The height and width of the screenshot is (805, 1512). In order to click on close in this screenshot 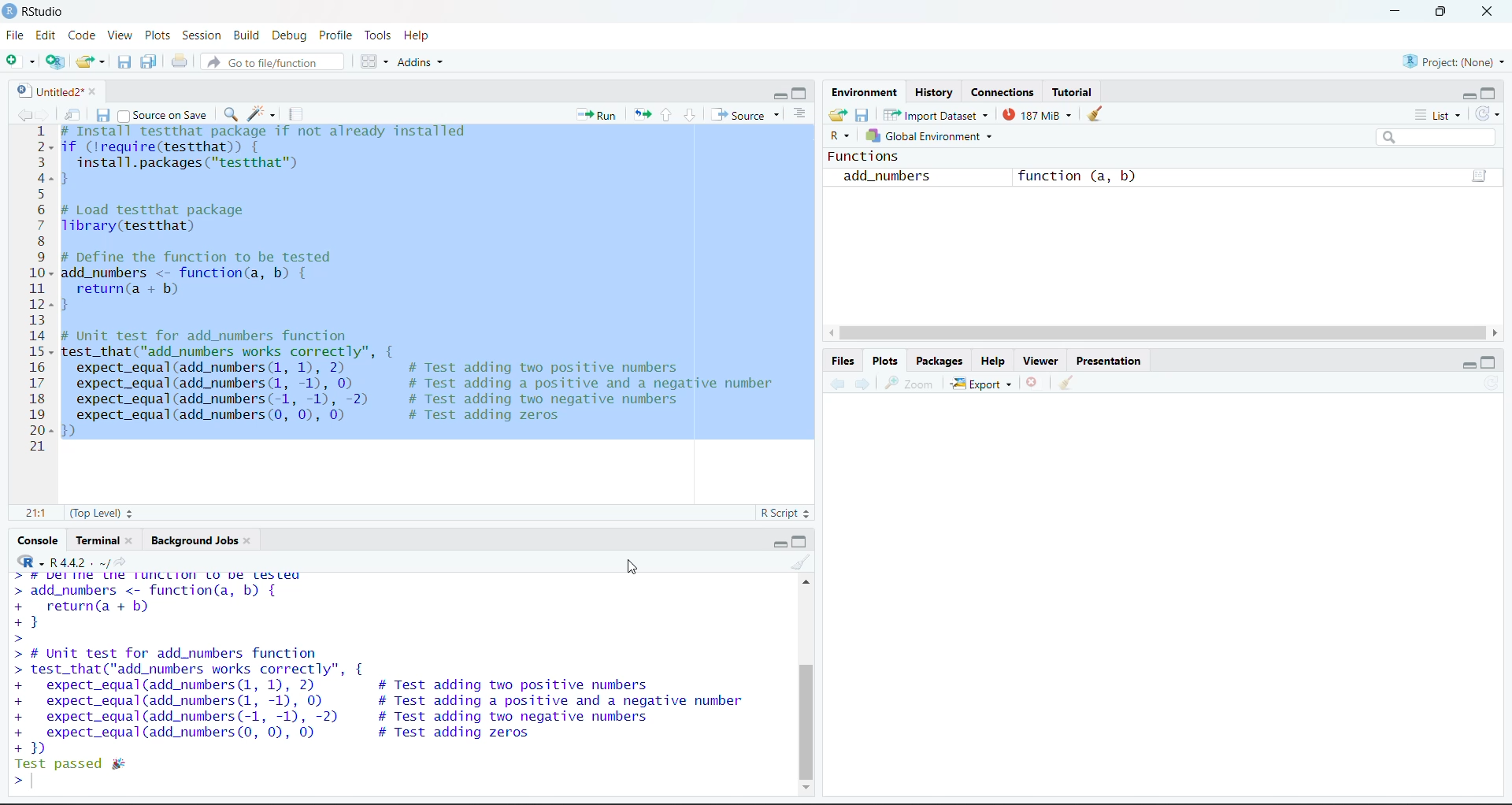, I will do `click(1489, 12)`.